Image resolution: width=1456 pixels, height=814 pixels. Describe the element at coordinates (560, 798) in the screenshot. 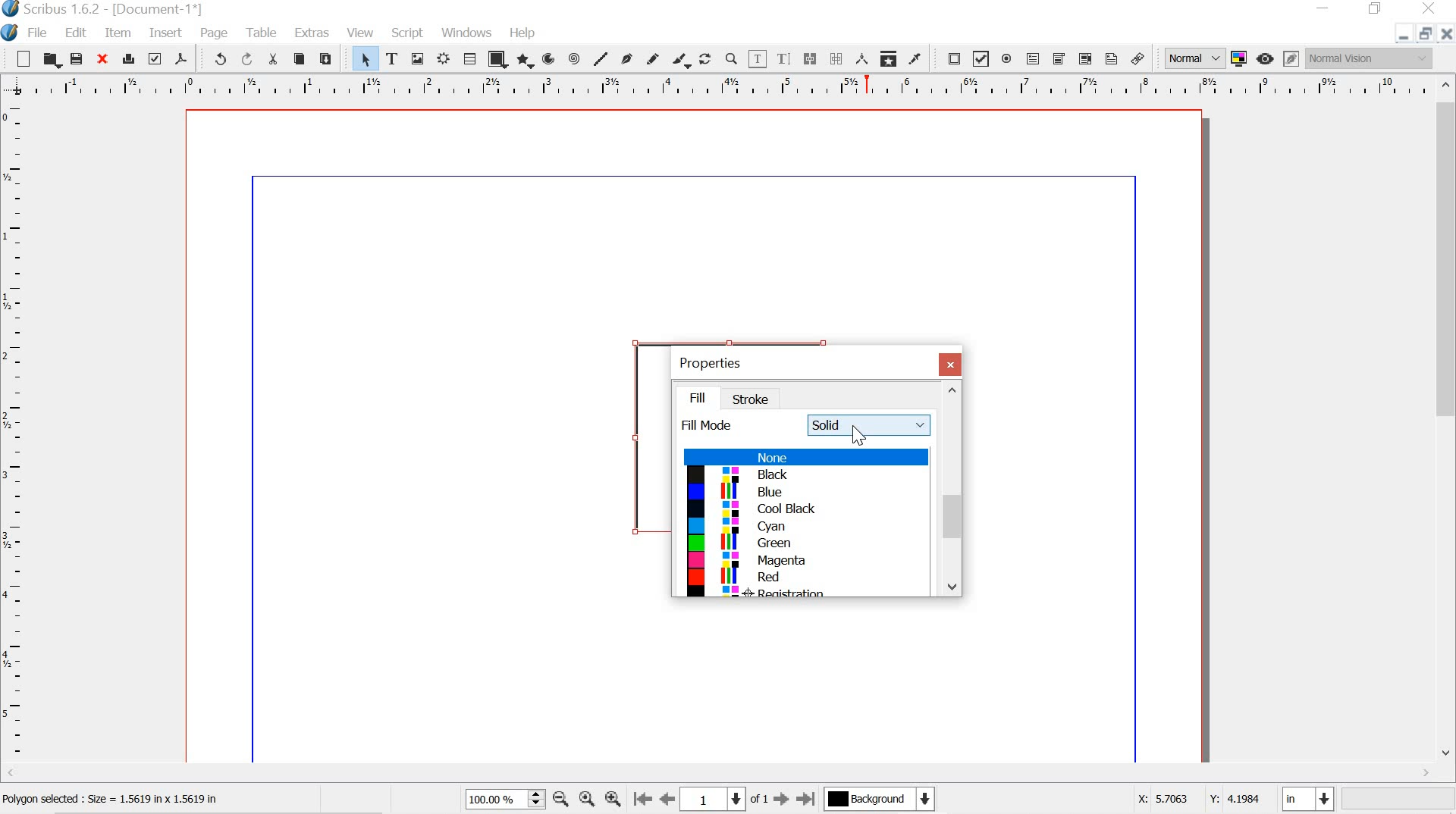

I see `zoom out` at that location.